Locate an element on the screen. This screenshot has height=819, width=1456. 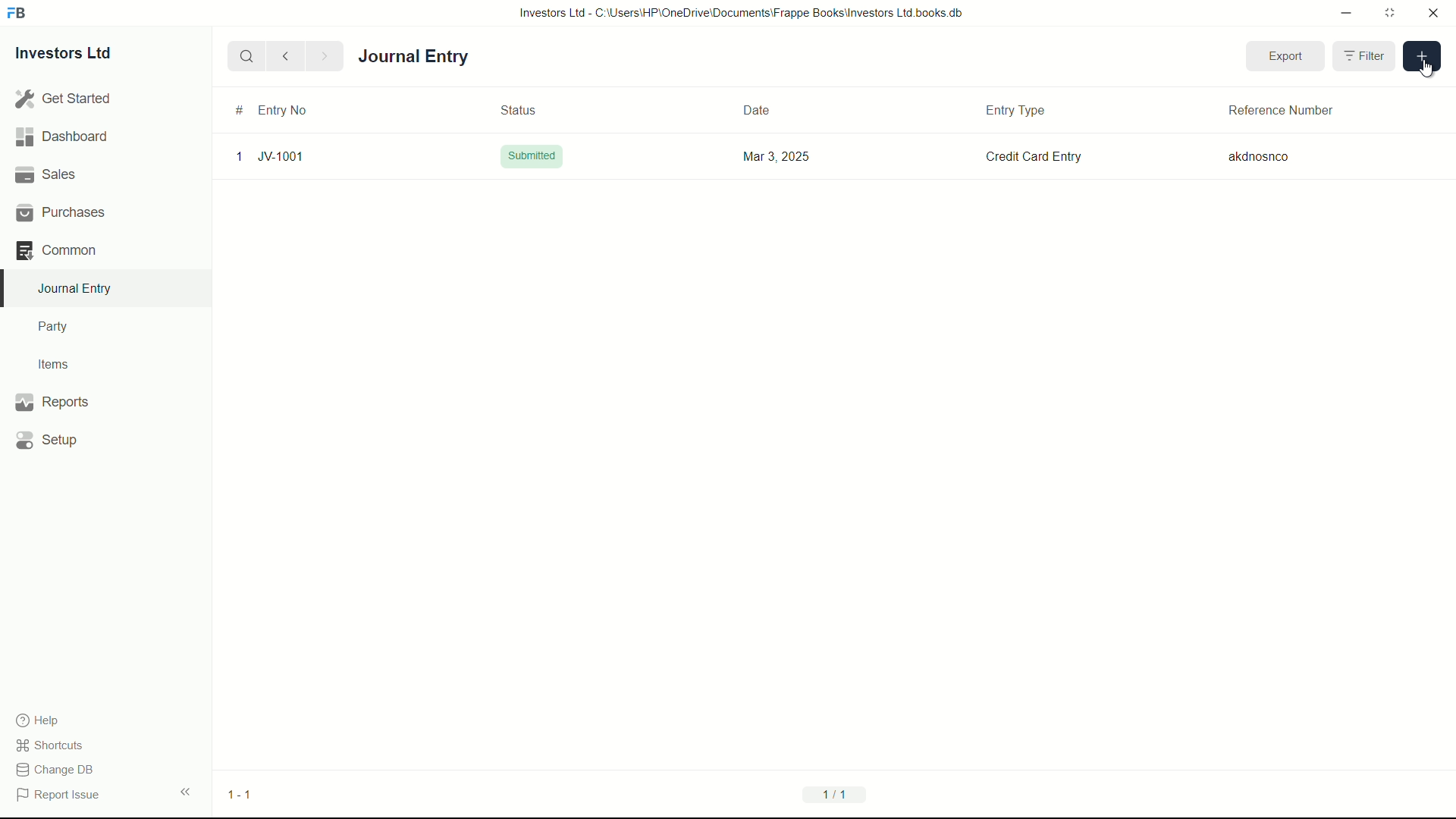
Investors Ltd - C:\Users\HP\OneDrive\Documents\Frappe Books\Investors Ltd books.db is located at coordinates (743, 12).